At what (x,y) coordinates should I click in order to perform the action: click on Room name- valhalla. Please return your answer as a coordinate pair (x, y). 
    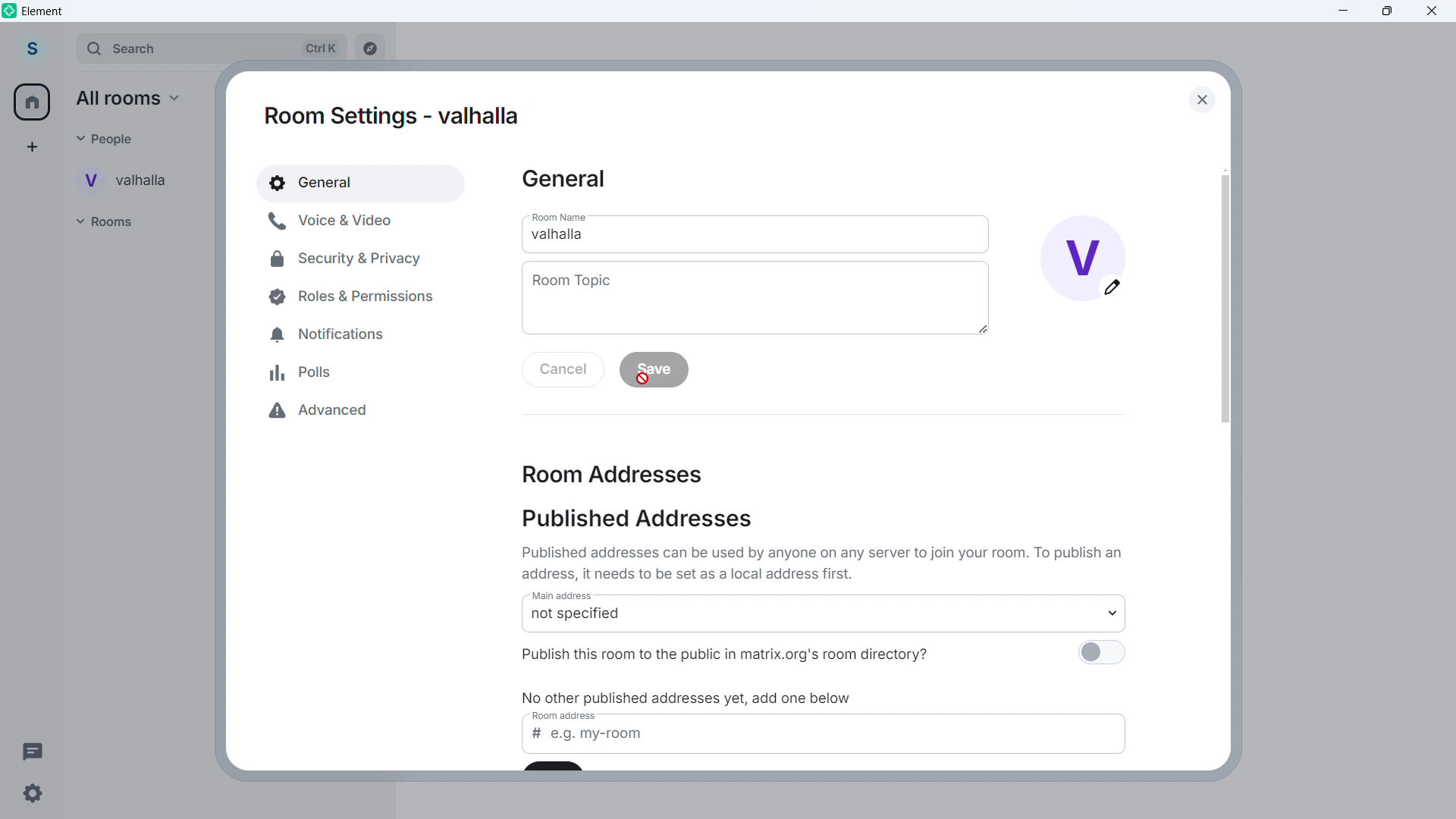
    Looking at the image, I should click on (561, 234).